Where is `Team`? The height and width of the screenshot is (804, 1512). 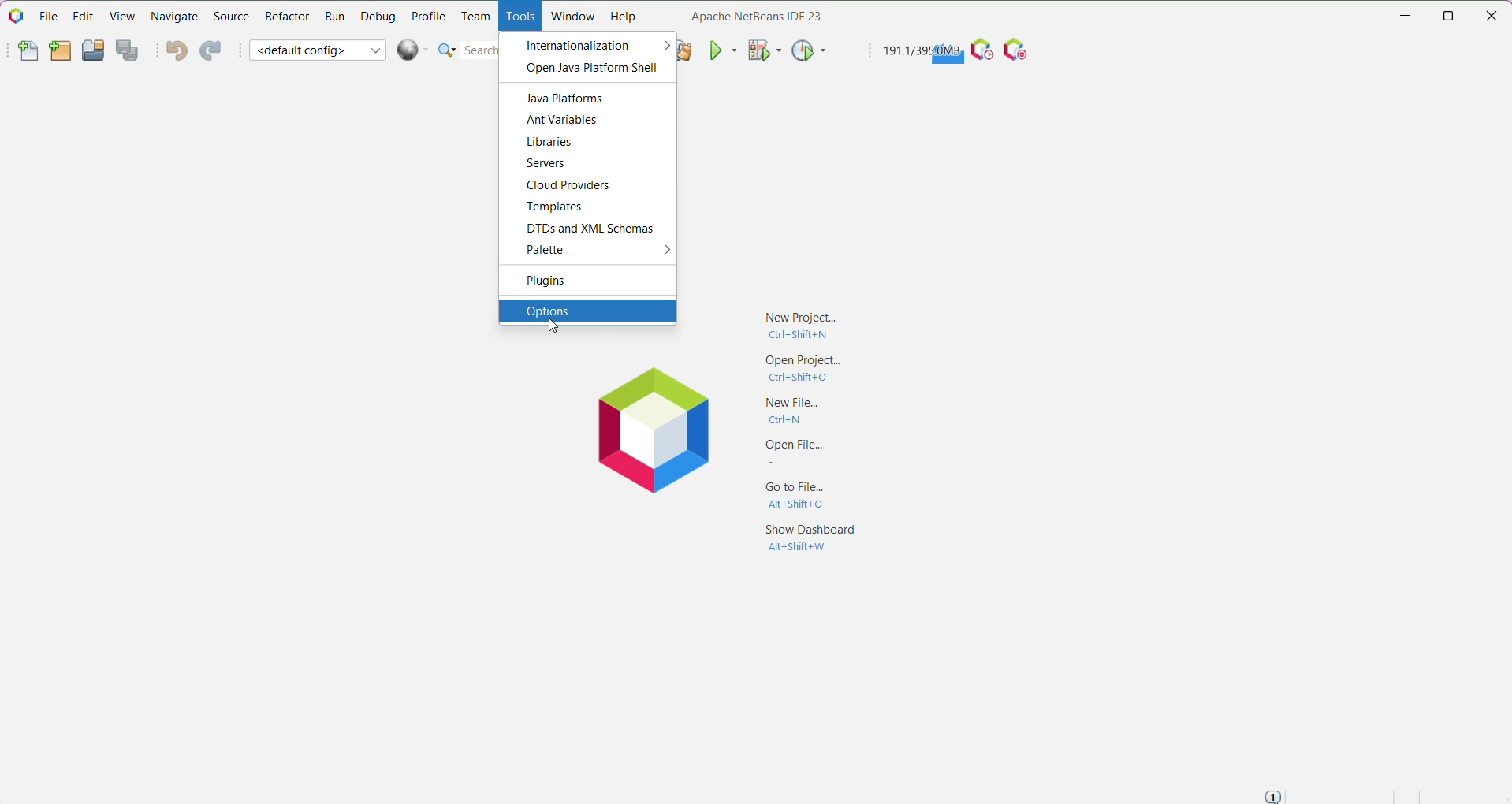
Team is located at coordinates (474, 16).